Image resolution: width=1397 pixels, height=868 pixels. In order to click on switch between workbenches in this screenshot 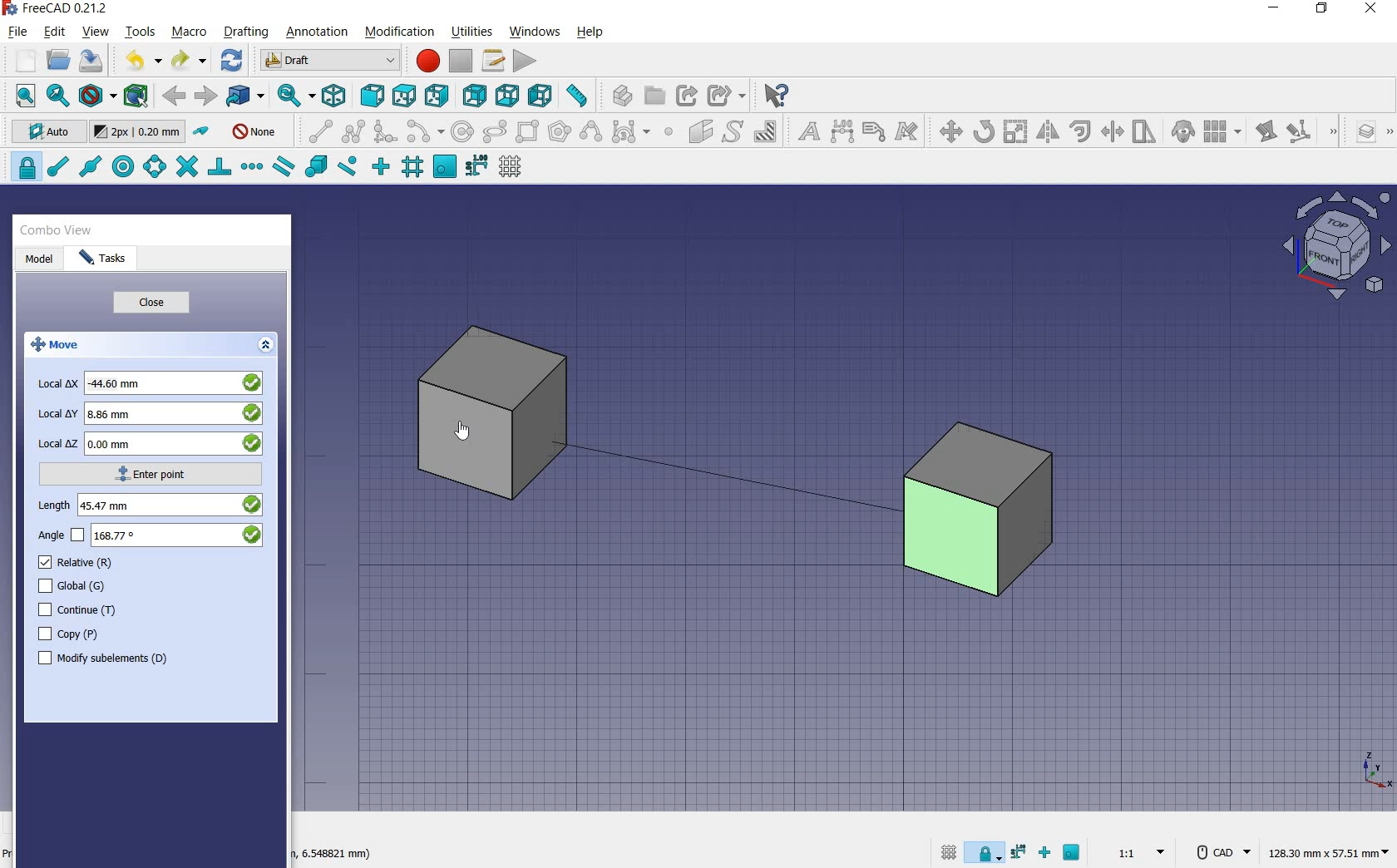, I will do `click(328, 62)`.